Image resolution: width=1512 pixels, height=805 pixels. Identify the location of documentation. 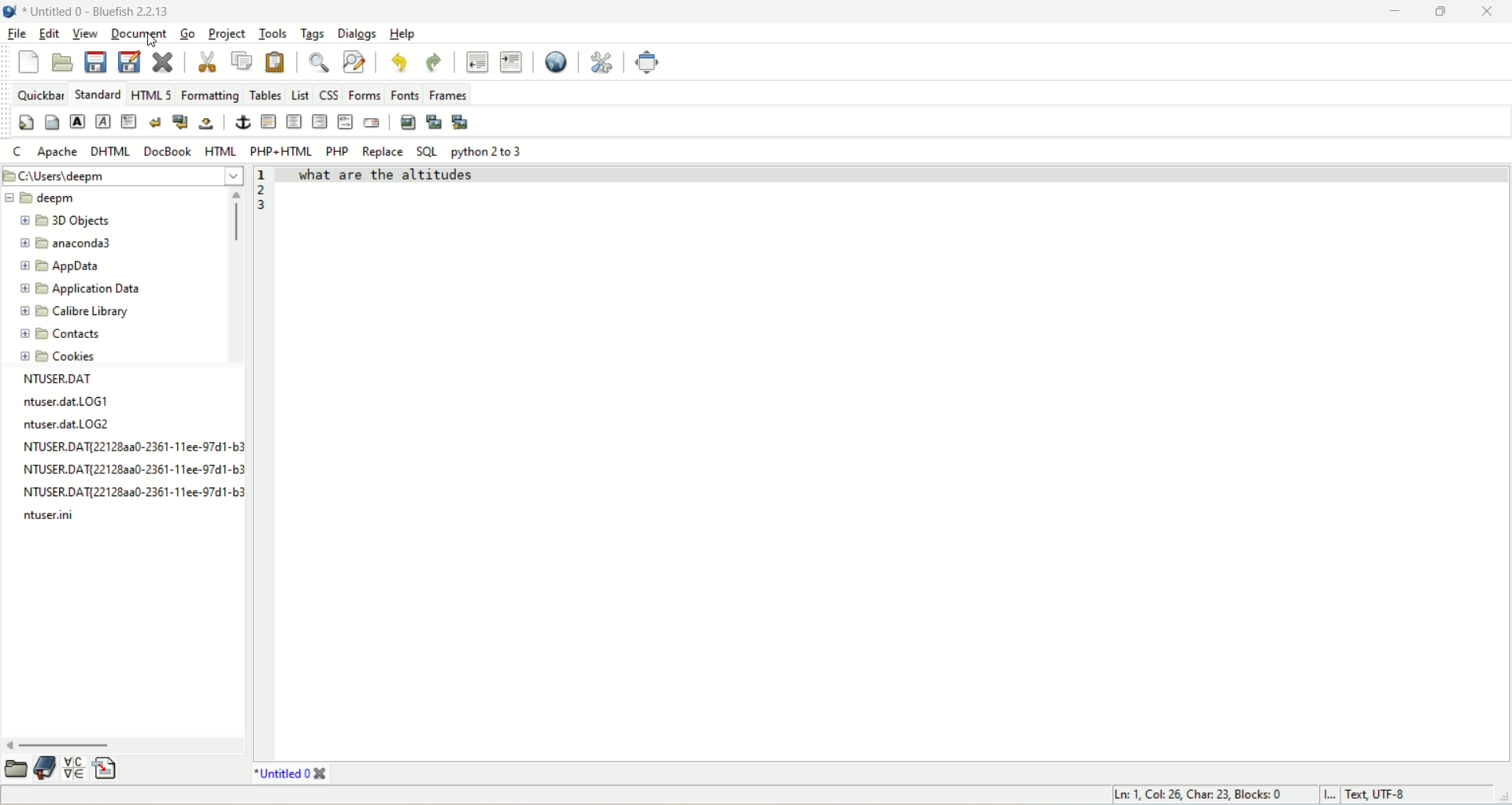
(45, 767).